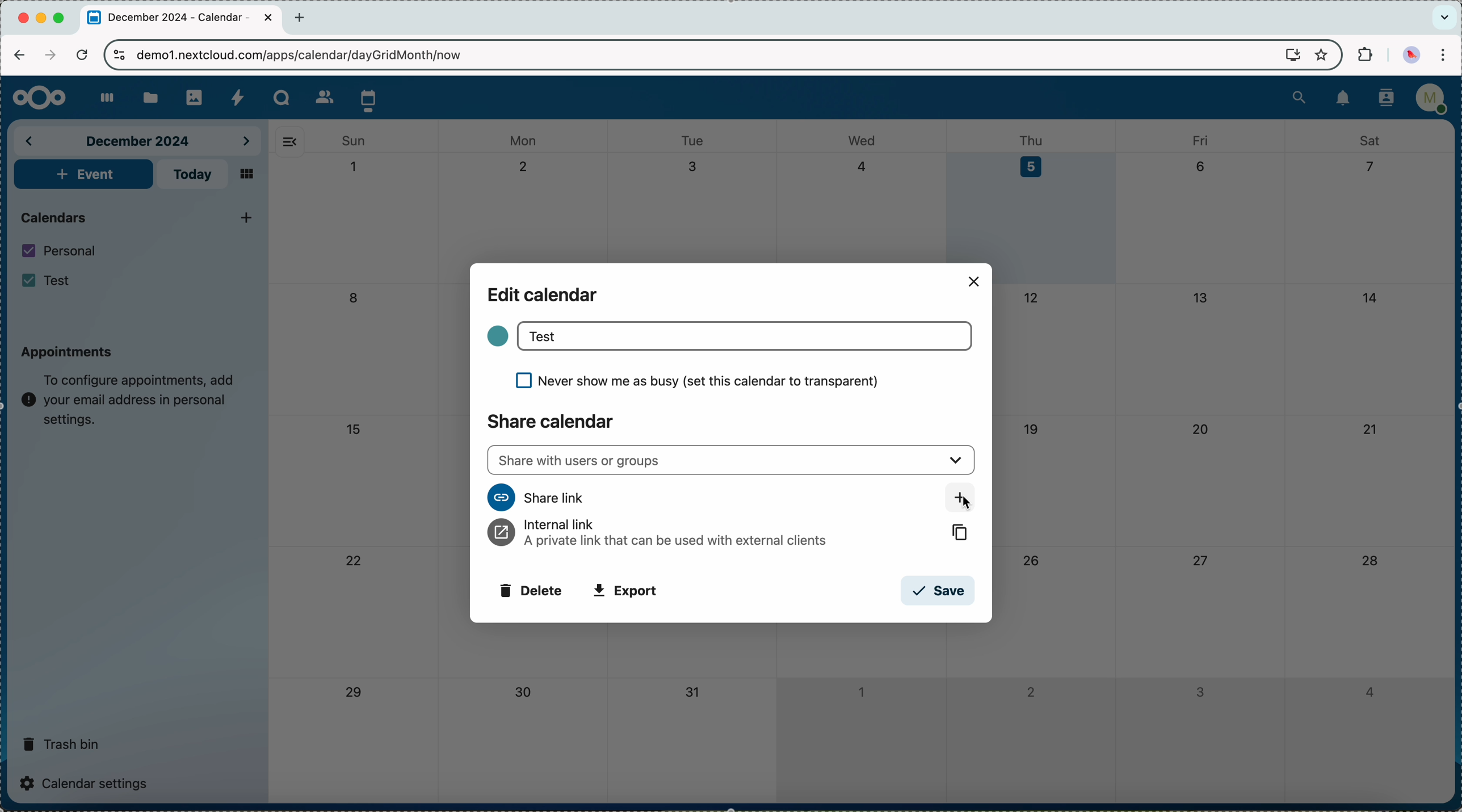 The height and width of the screenshot is (812, 1462). Describe the element at coordinates (246, 218) in the screenshot. I see `click on add new calendar` at that location.